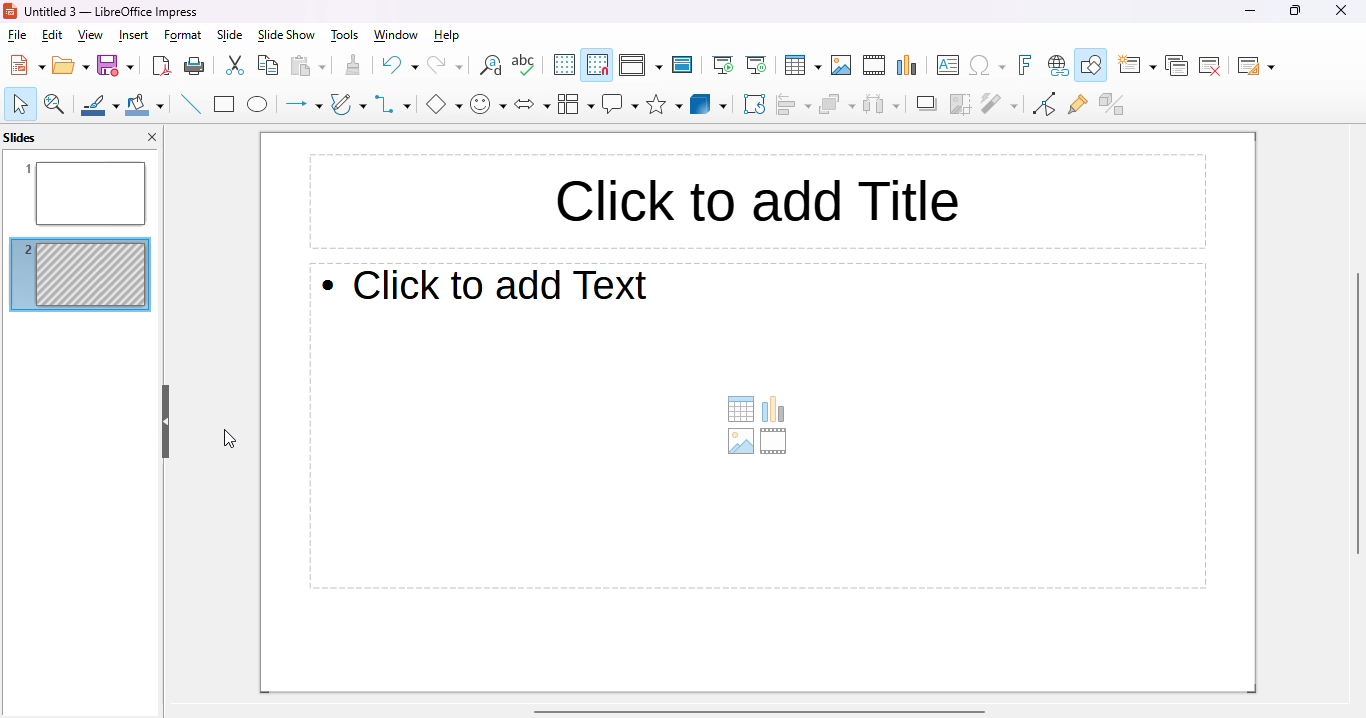 The width and height of the screenshot is (1366, 718). What do you see at coordinates (20, 137) in the screenshot?
I see `slides` at bounding box center [20, 137].